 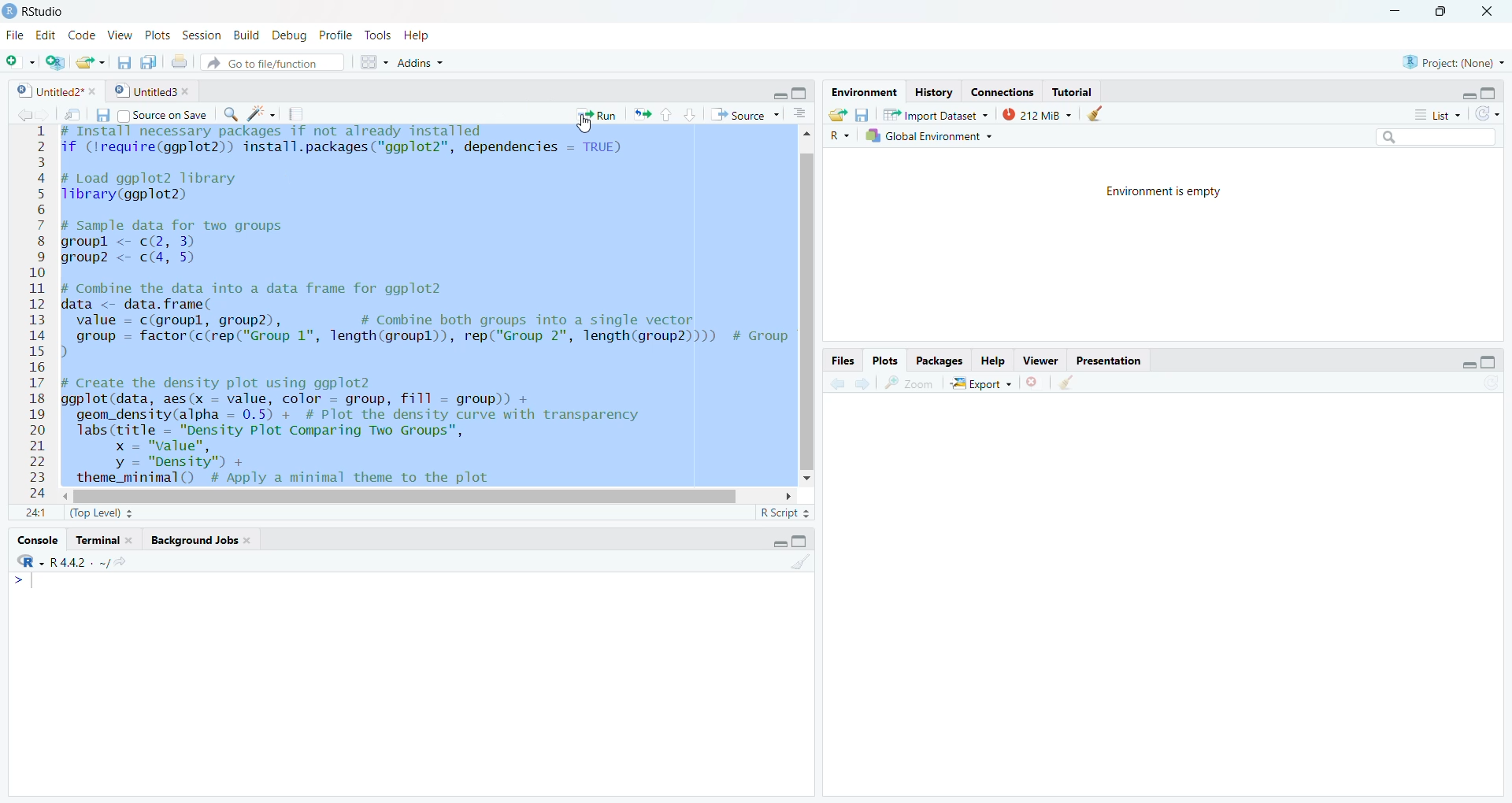 I want to click on packages, so click(x=935, y=361).